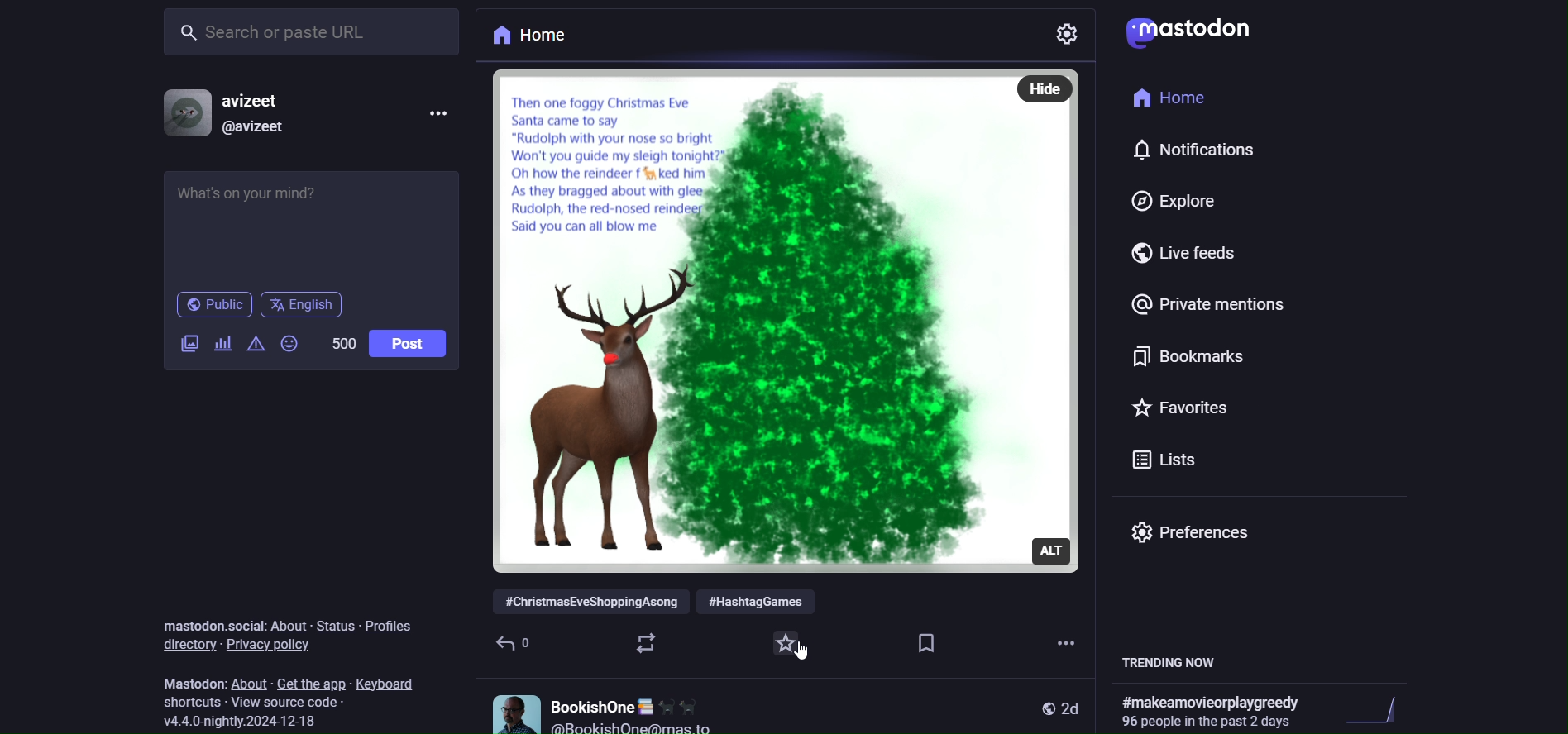 The height and width of the screenshot is (734, 1568). What do you see at coordinates (191, 702) in the screenshot?
I see `shortcut` at bounding box center [191, 702].